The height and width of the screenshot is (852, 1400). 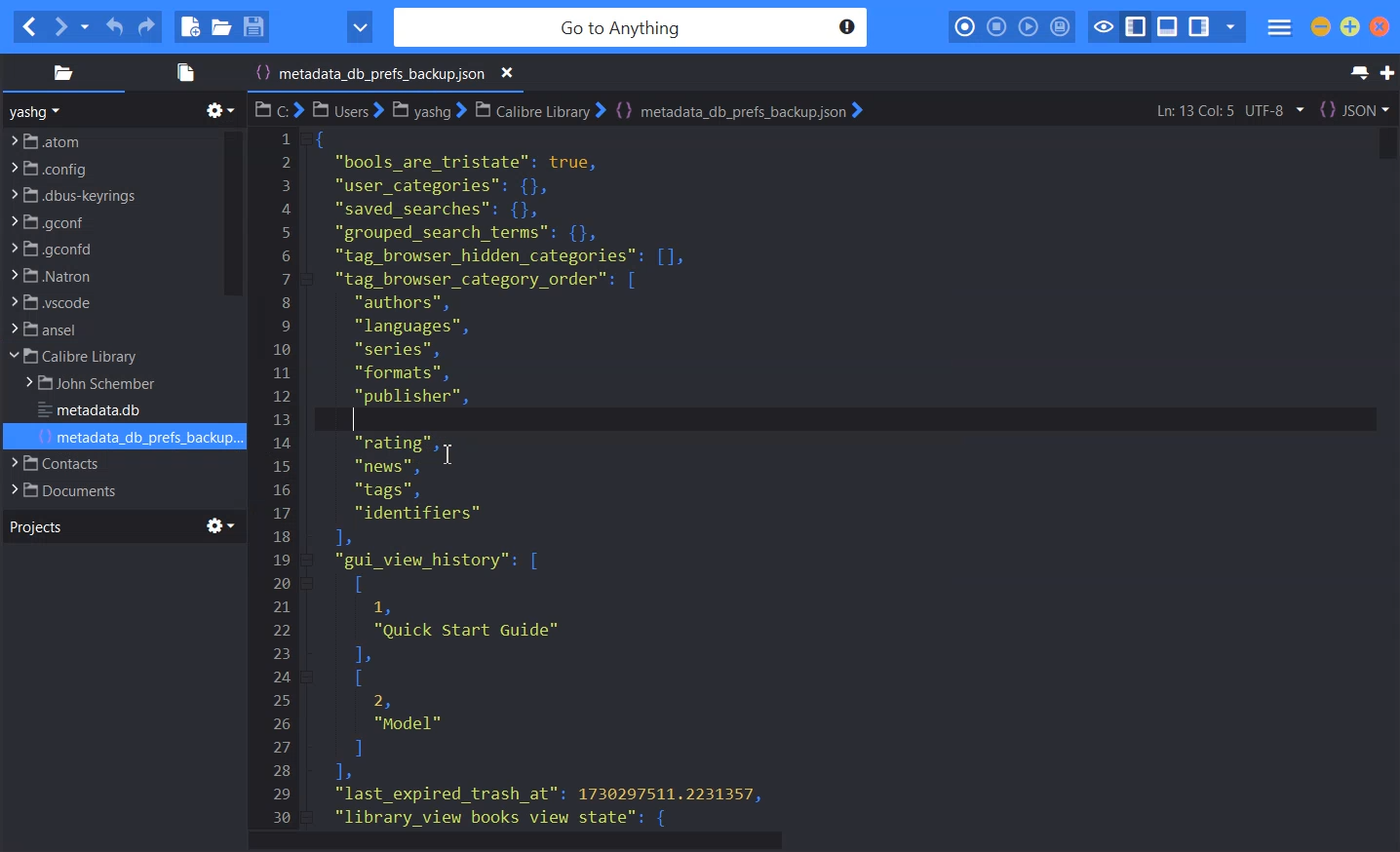 I want to click on Projects, so click(x=35, y=525).